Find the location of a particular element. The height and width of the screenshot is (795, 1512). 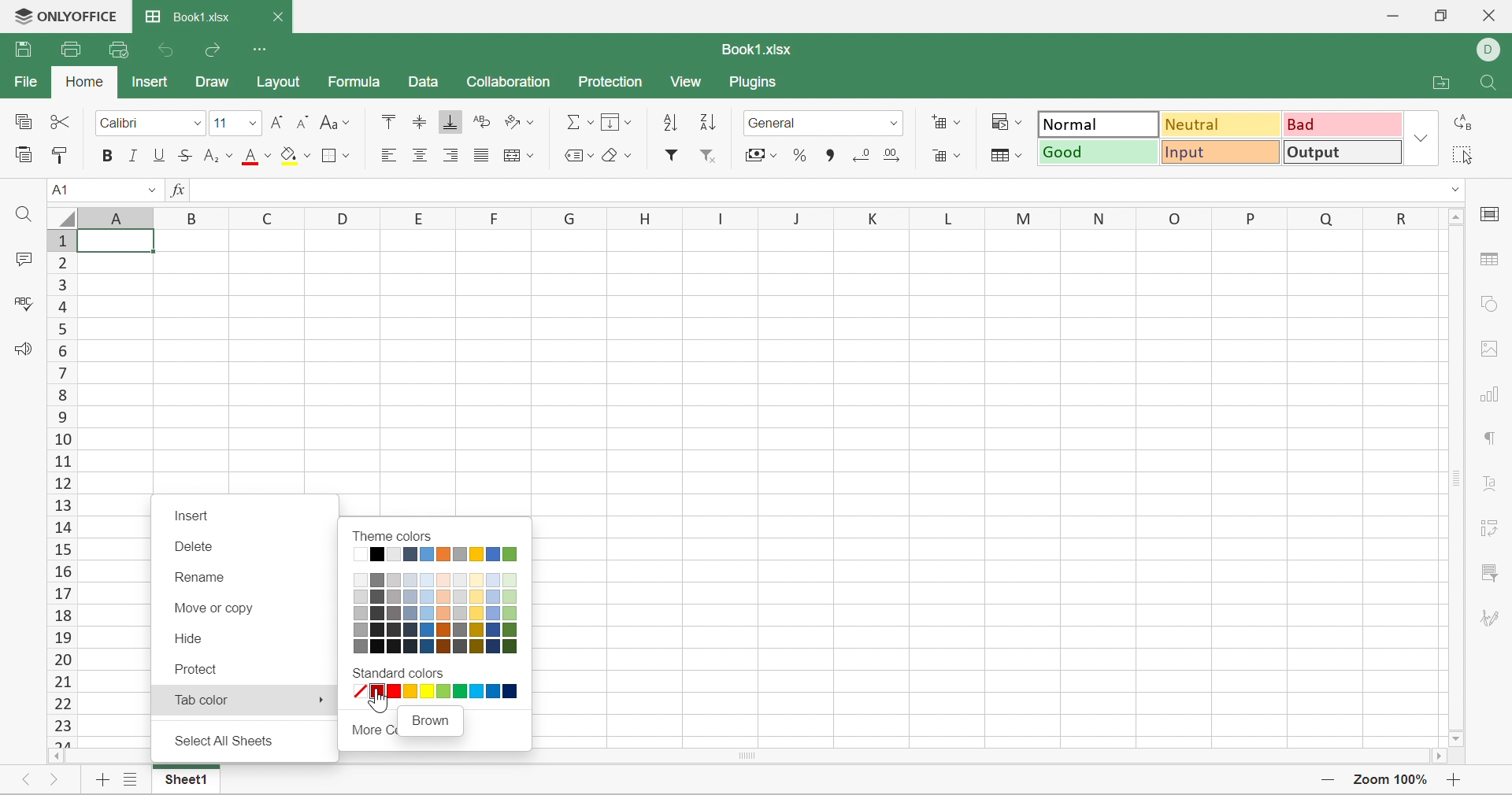

File is located at coordinates (27, 83).